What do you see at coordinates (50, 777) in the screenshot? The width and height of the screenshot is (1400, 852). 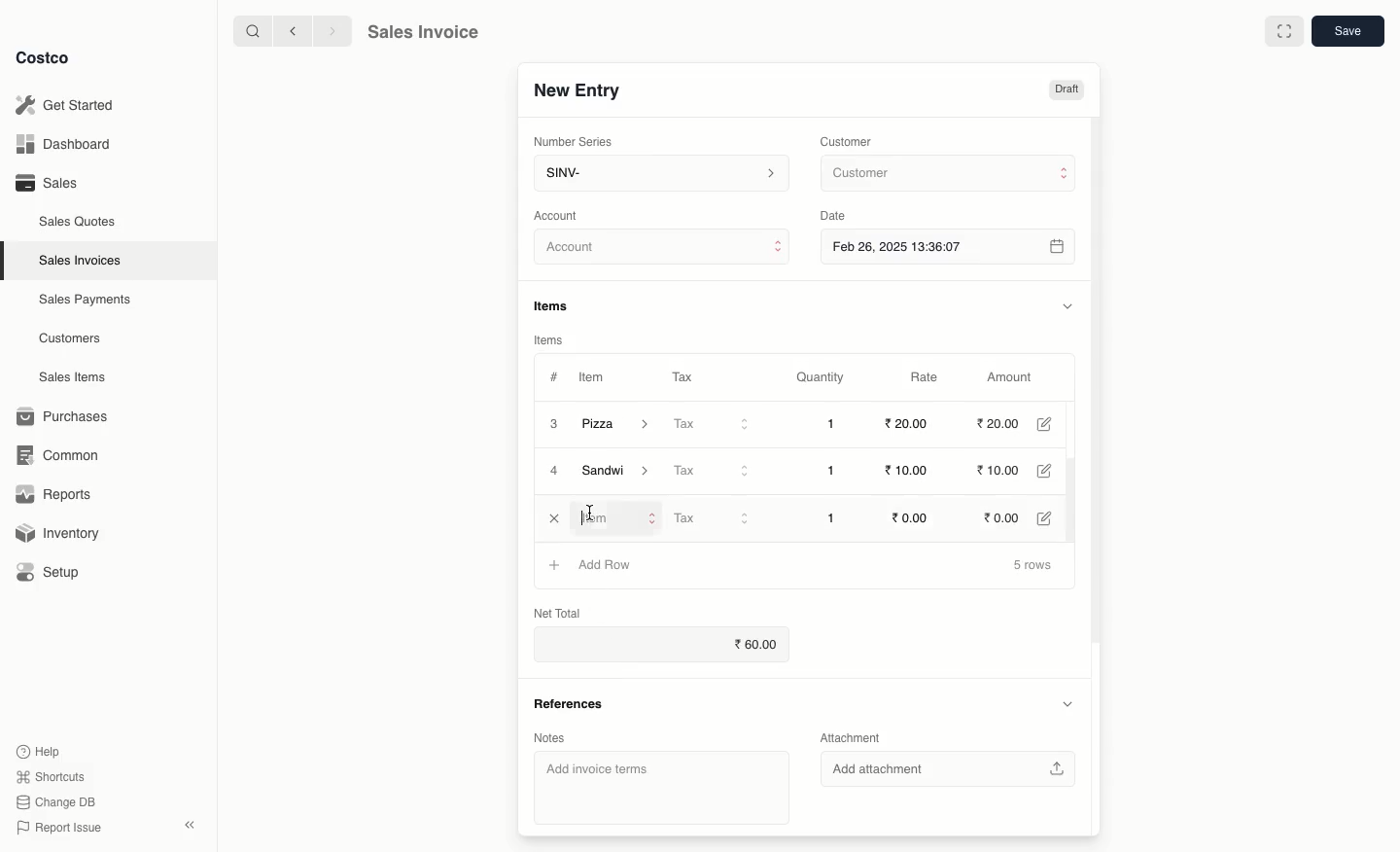 I see `Shortcuts` at bounding box center [50, 777].